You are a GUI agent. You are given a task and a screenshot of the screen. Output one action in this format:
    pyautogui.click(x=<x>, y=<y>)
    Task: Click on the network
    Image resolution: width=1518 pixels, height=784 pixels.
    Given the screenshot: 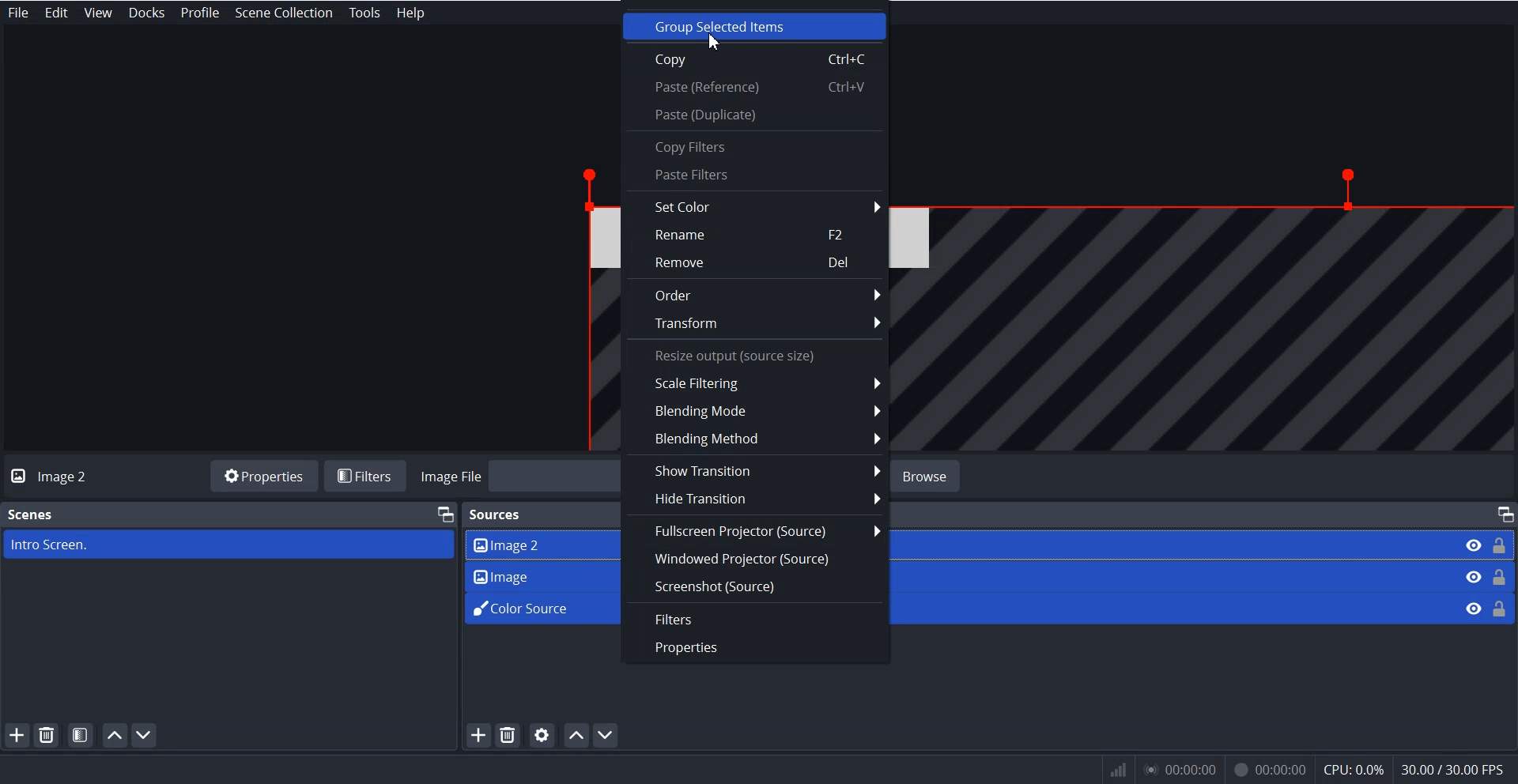 What is the action you would take?
    pyautogui.click(x=1116, y=770)
    